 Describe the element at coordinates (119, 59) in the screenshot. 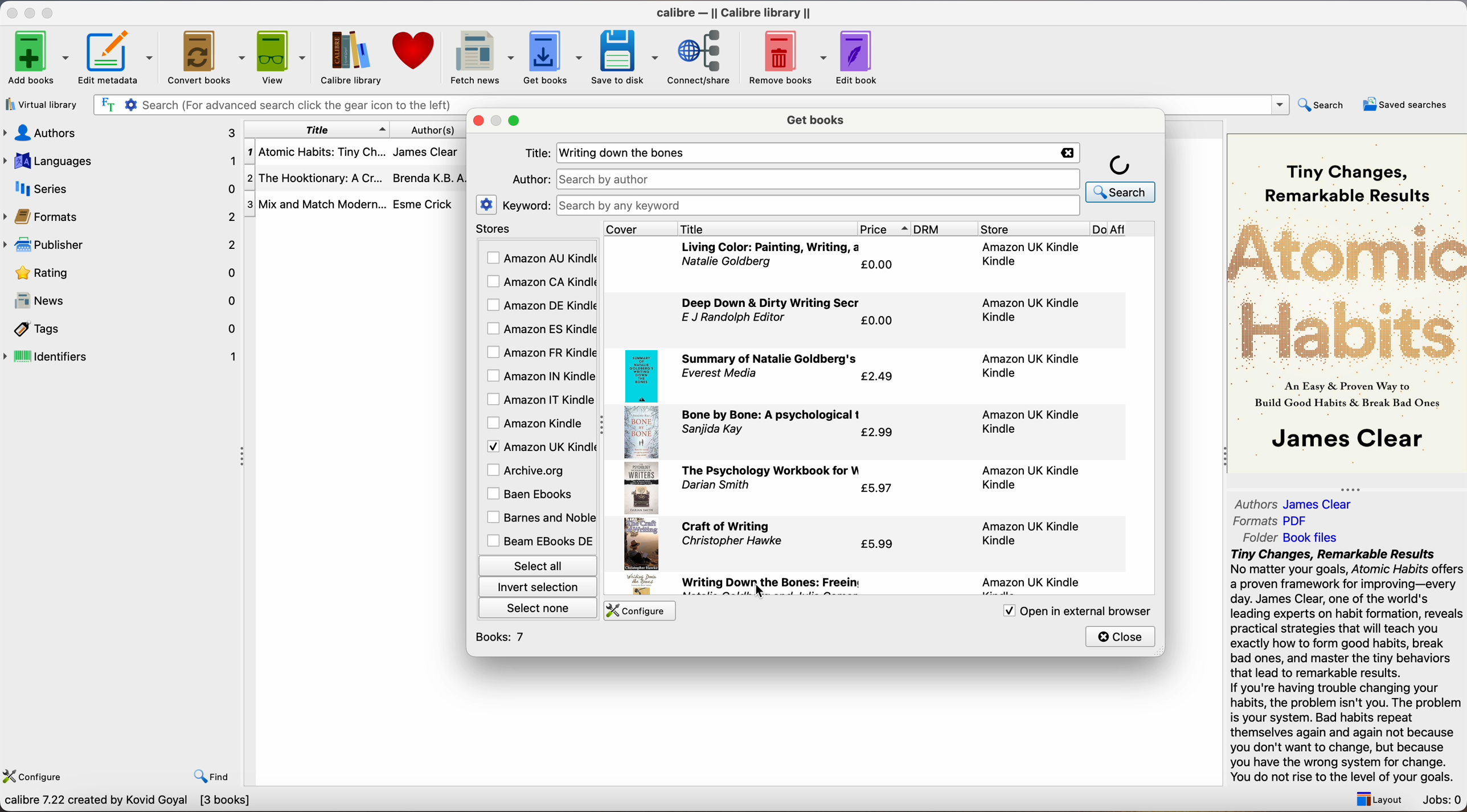

I see `edit metadata` at that location.